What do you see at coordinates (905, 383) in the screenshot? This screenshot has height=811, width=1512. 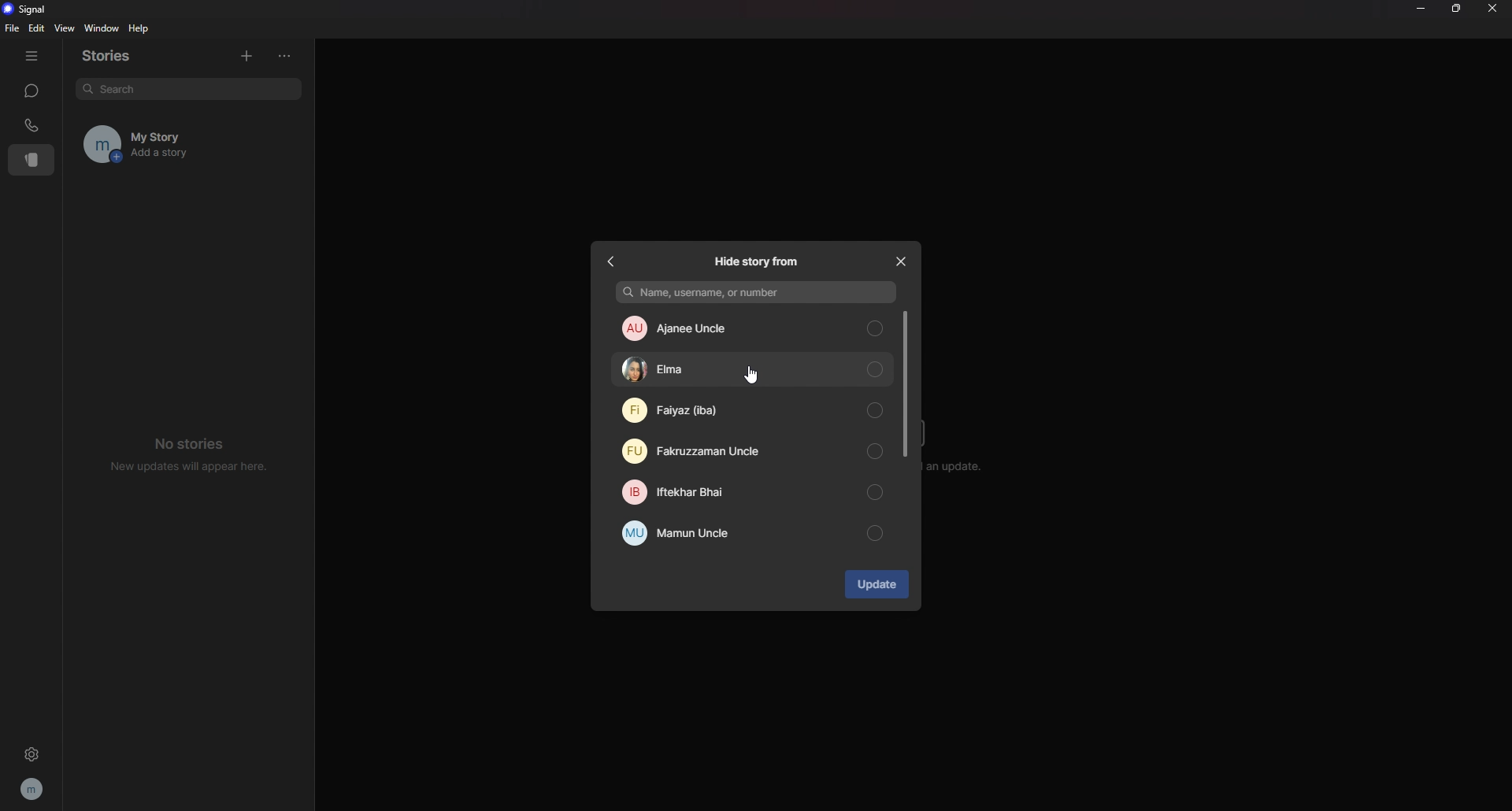 I see `scroll bar` at bounding box center [905, 383].